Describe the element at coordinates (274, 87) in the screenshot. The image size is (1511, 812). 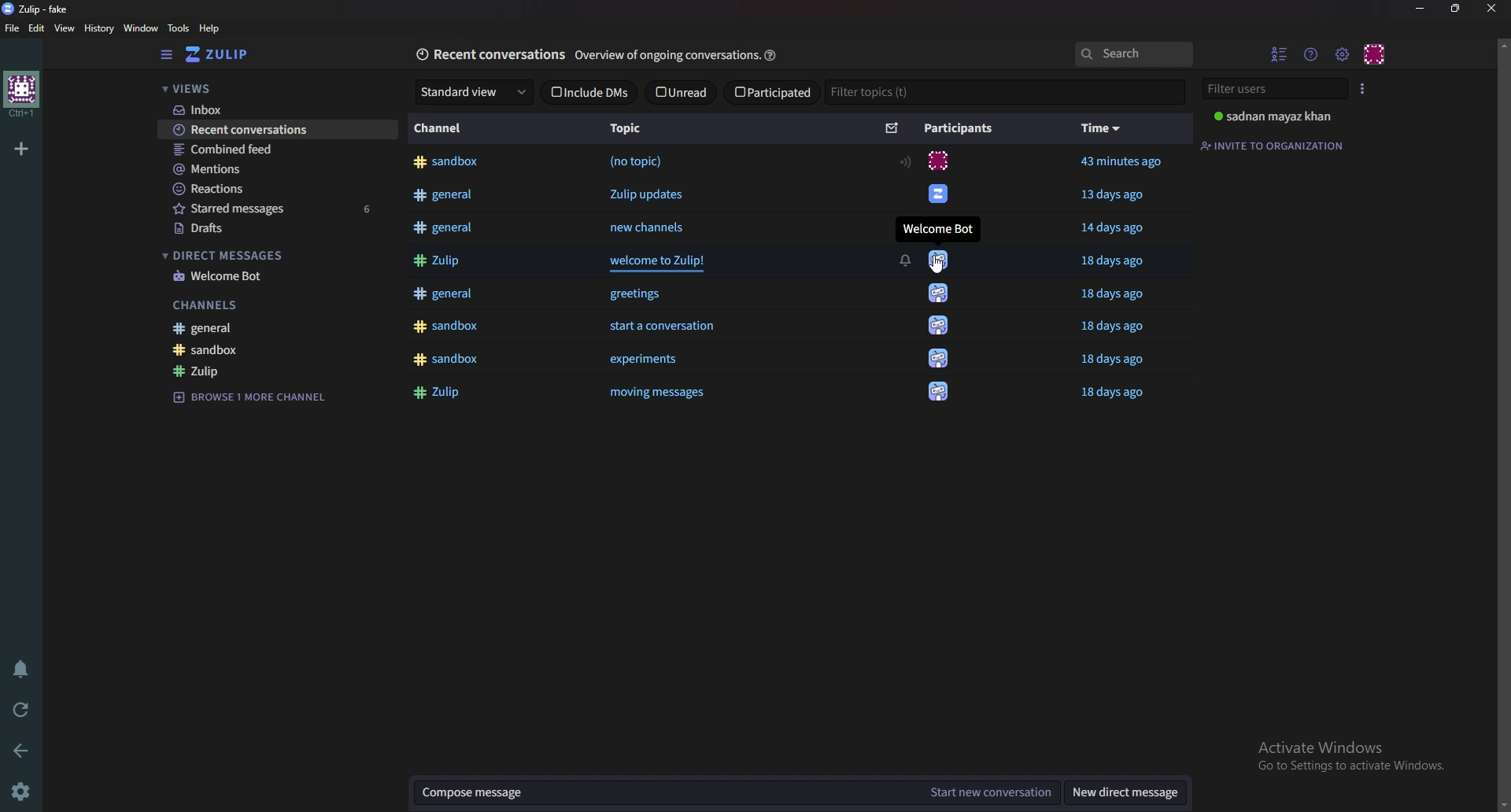
I see `Views` at that location.